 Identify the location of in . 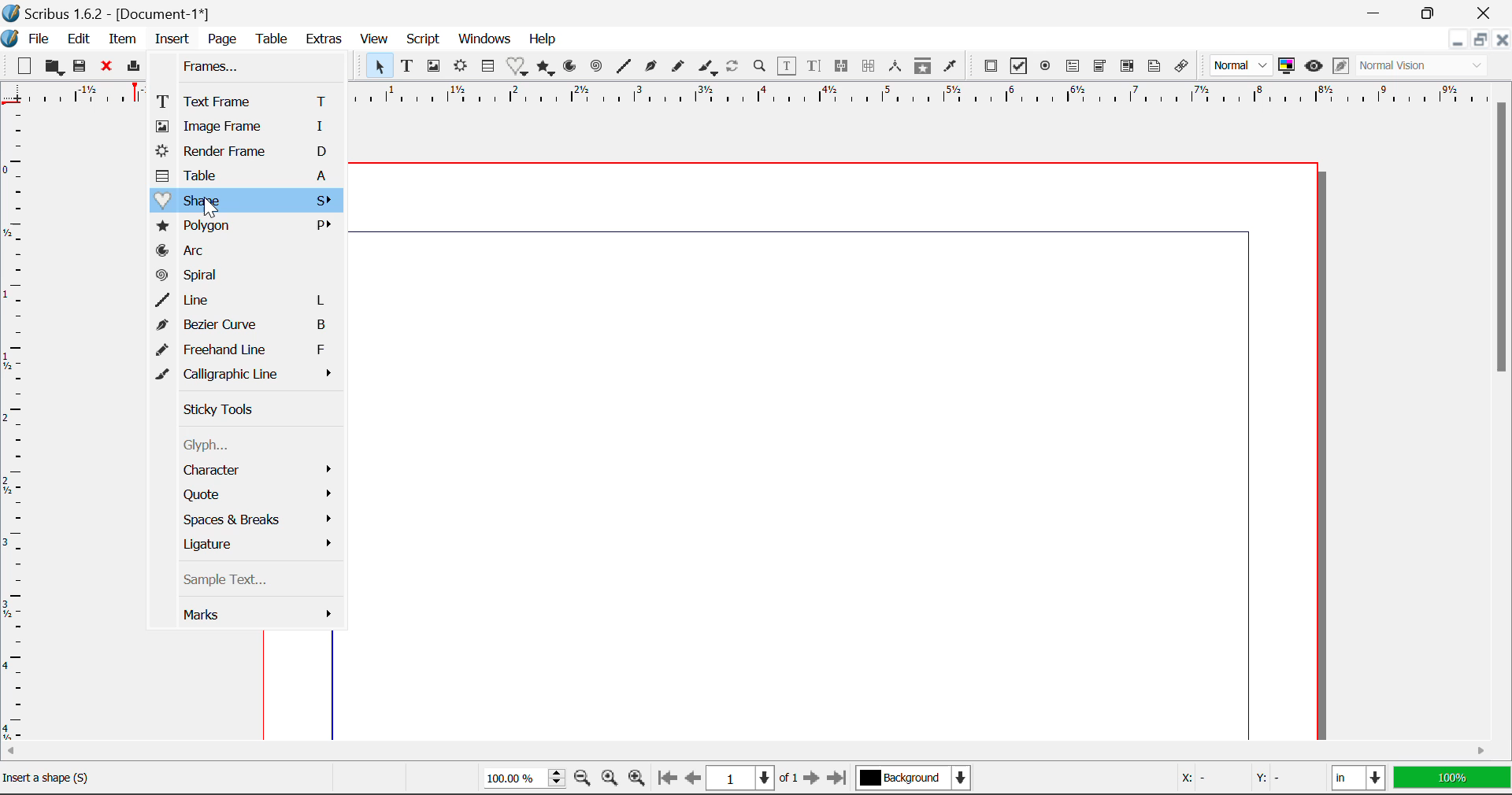
(1357, 780).